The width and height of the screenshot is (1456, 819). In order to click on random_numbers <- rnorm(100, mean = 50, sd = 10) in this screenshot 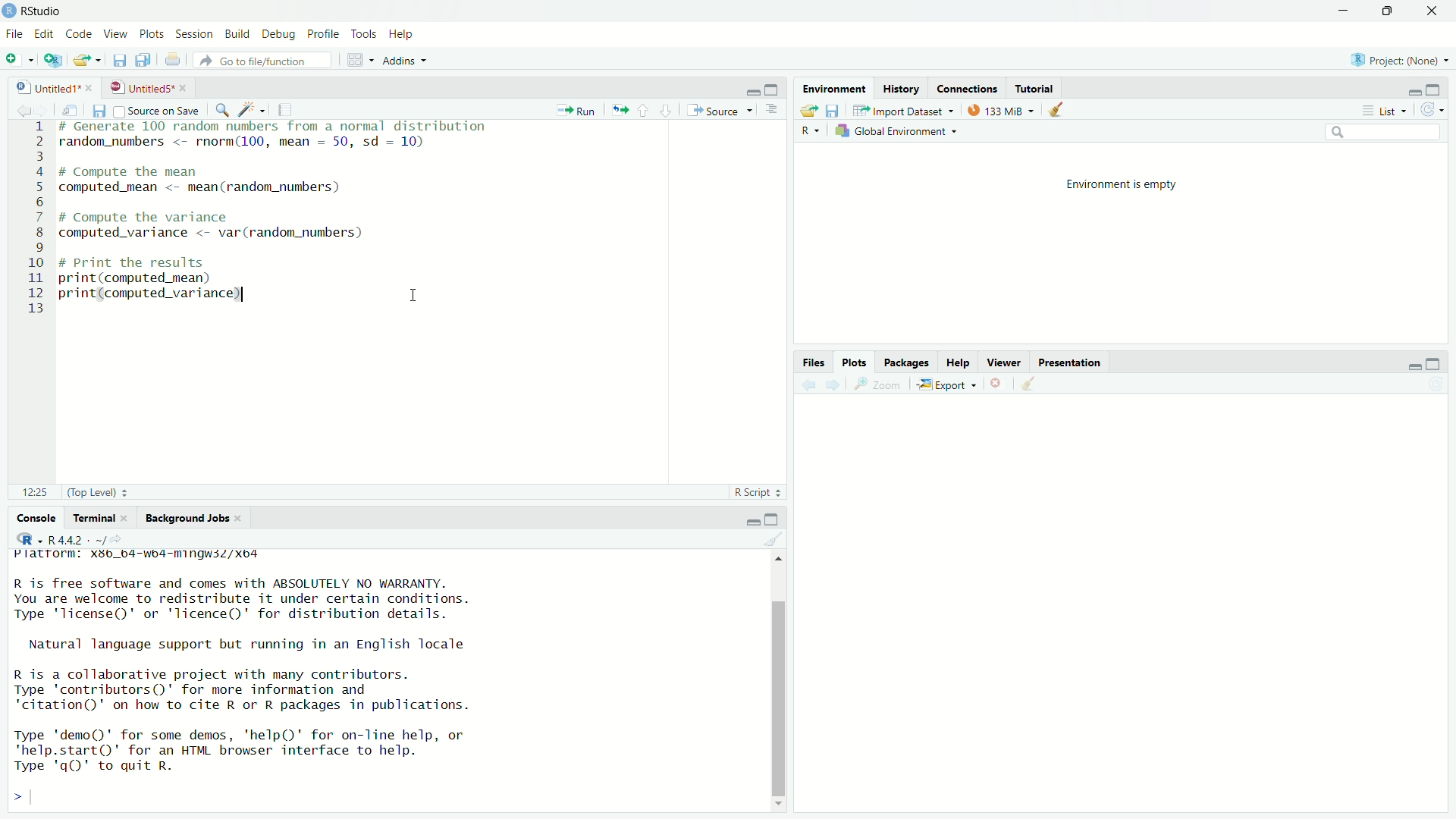, I will do `click(262, 142)`.